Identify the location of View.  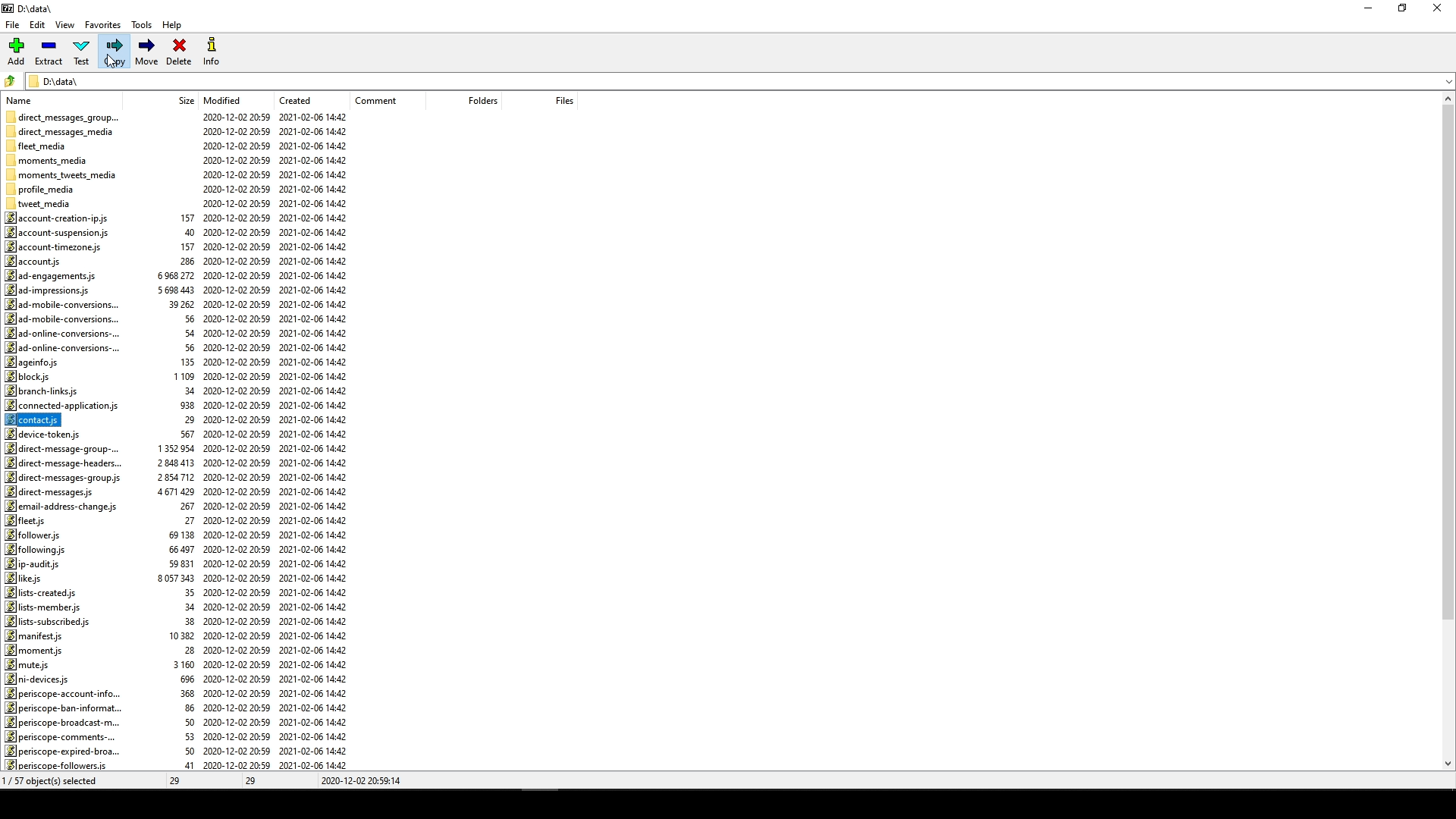
(67, 26).